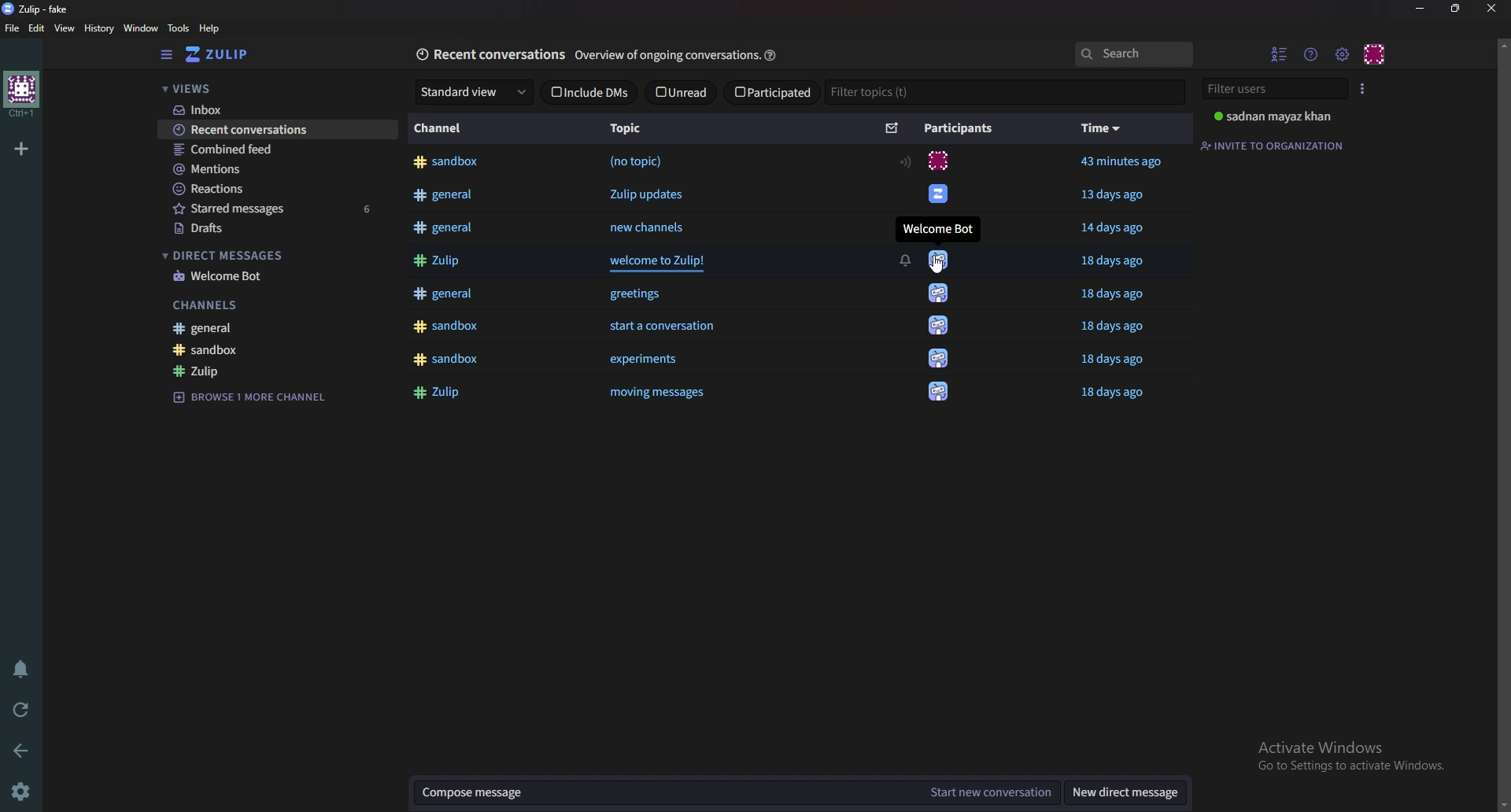 The width and height of the screenshot is (1511, 812). What do you see at coordinates (1375, 54) in the screenshot?
I see ` Personal menu` at bounding box center [1375, 54].